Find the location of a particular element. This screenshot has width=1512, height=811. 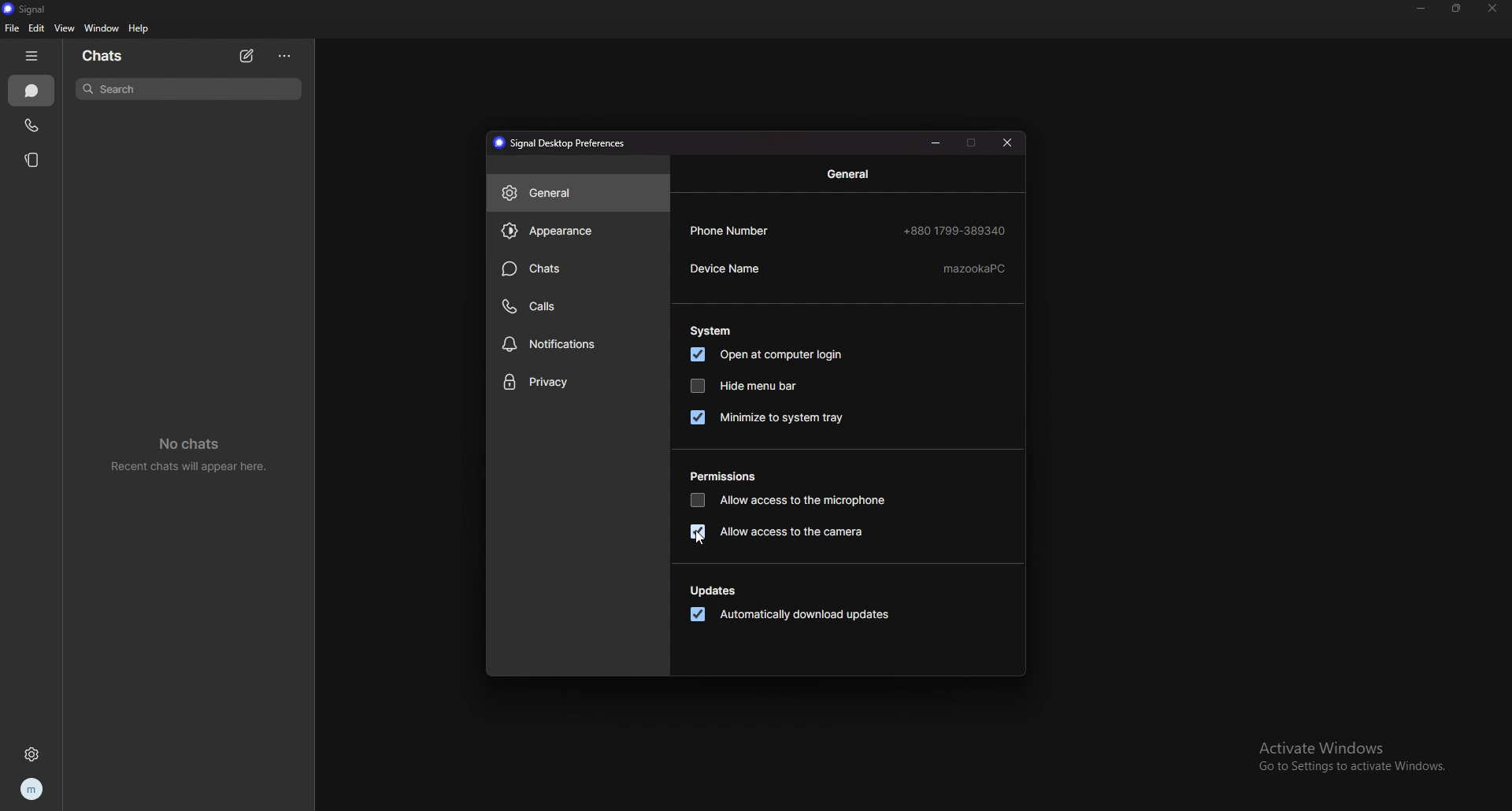

edit is located at coordinates (38, 28).